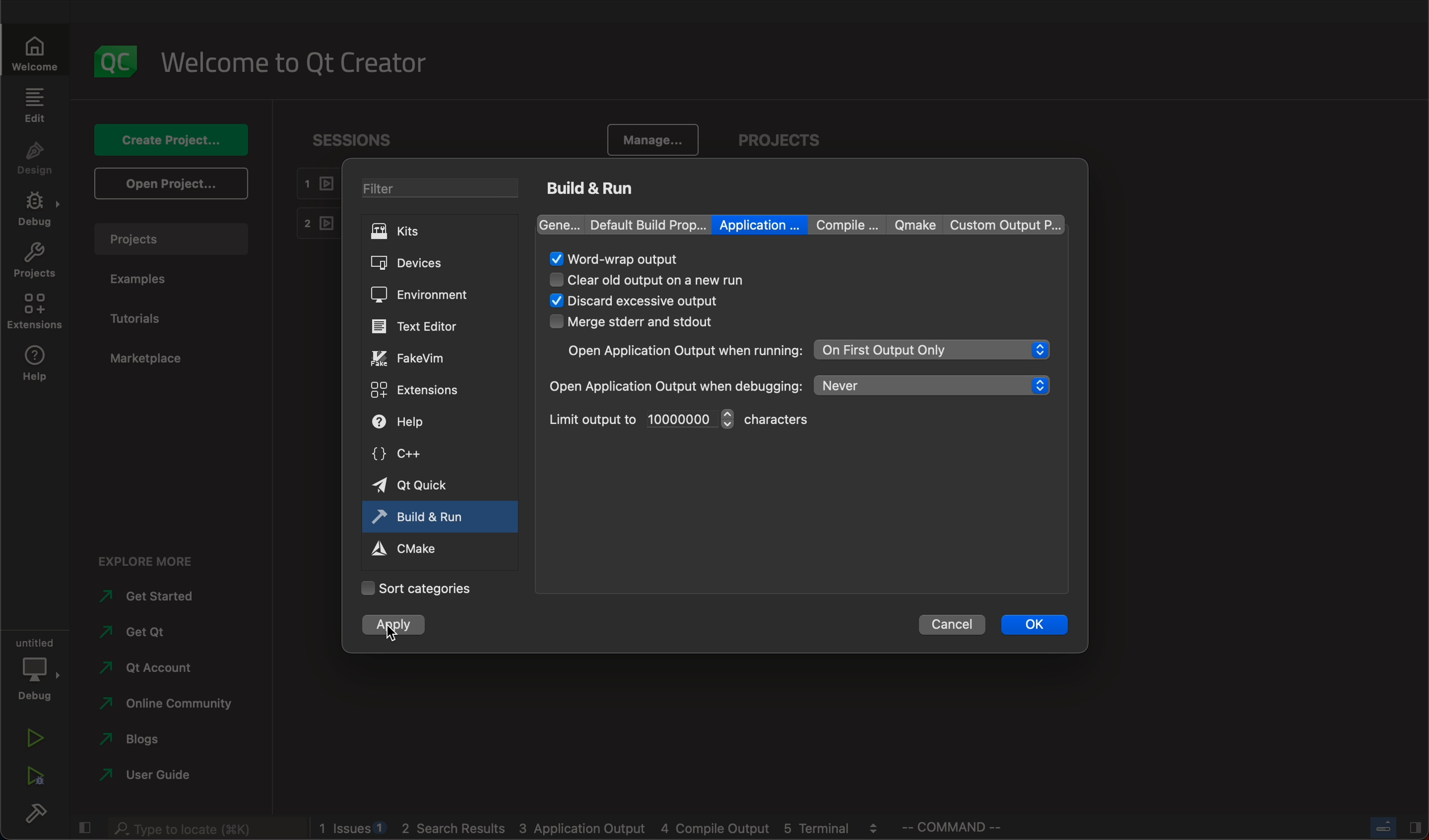 Image resolution: width=1429 pixels, height=840 pixels. What do you see at coordinates (170, 239) in the screenshot?
I see `projects` at bounding box center [170, 239].